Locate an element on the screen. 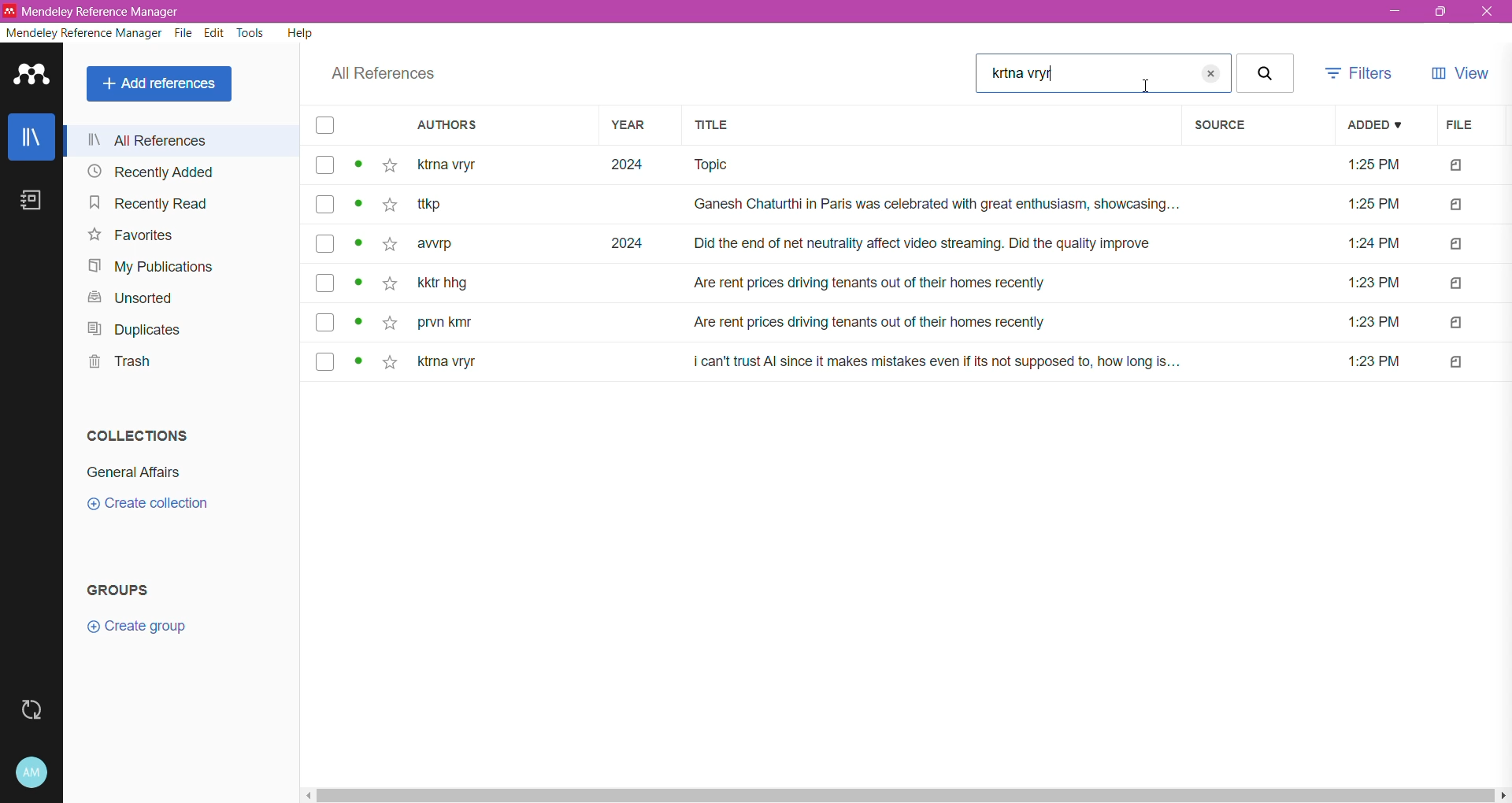 The width and height of the screenshot is (1512, 803). Minimize is located at coordinates (1394, 12).